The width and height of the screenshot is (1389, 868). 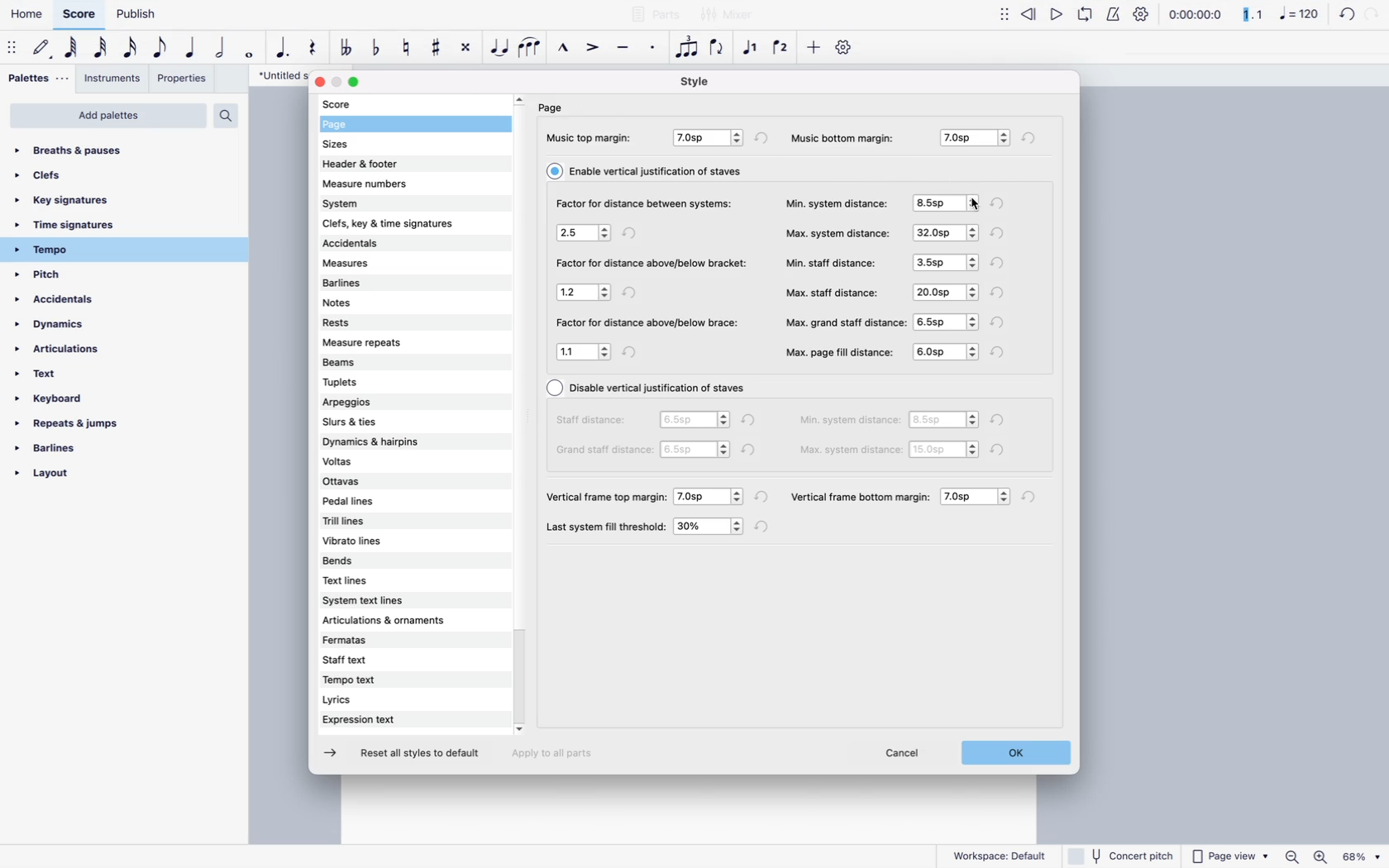 What do you see at coordinates (316, 48) in the screenshot?
I see `rest` at bounding box center [316, 48].